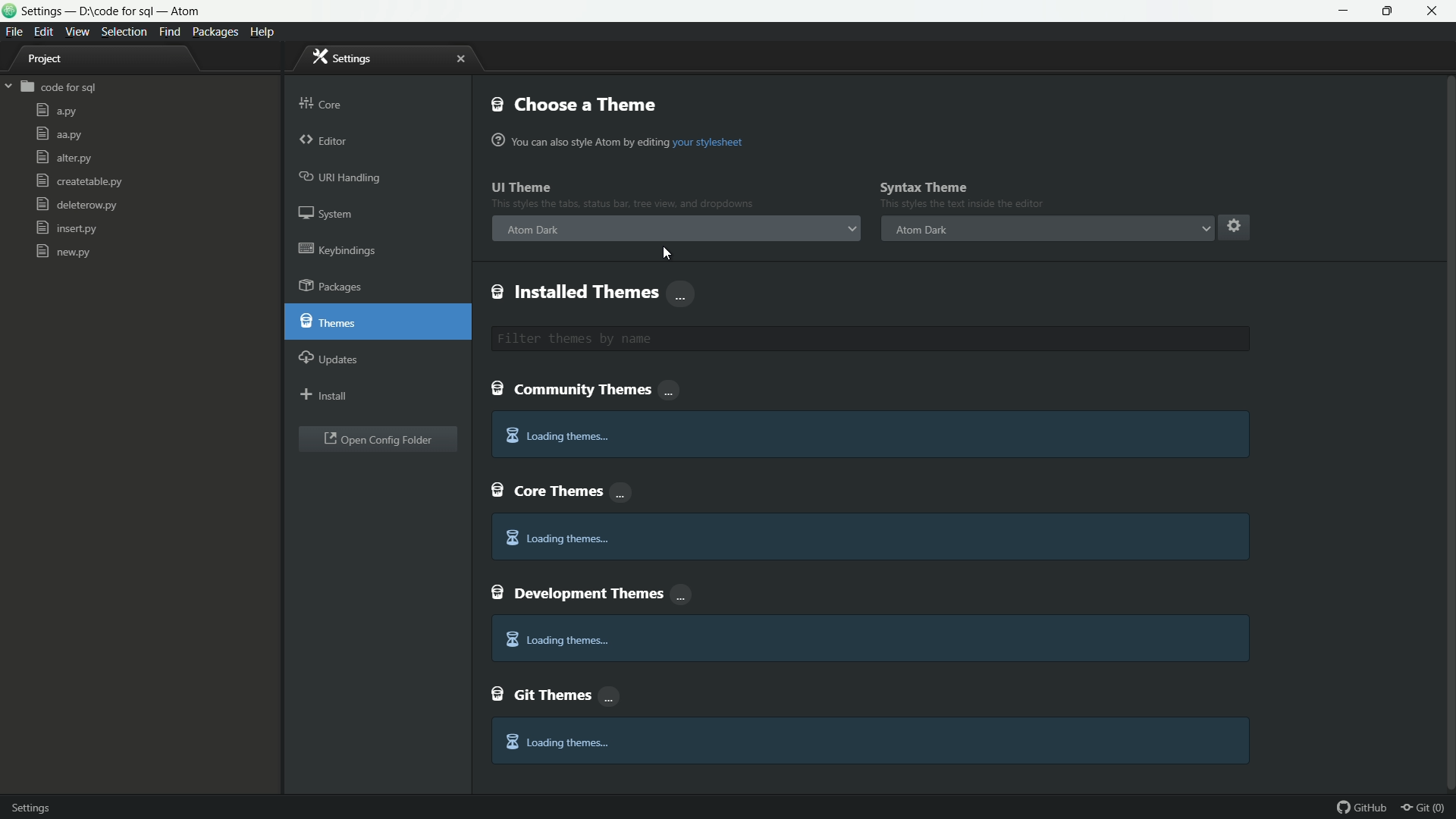  Describe the element at coordinates (77, 180) in the screenshot. I see `createtable.py file` at that location.